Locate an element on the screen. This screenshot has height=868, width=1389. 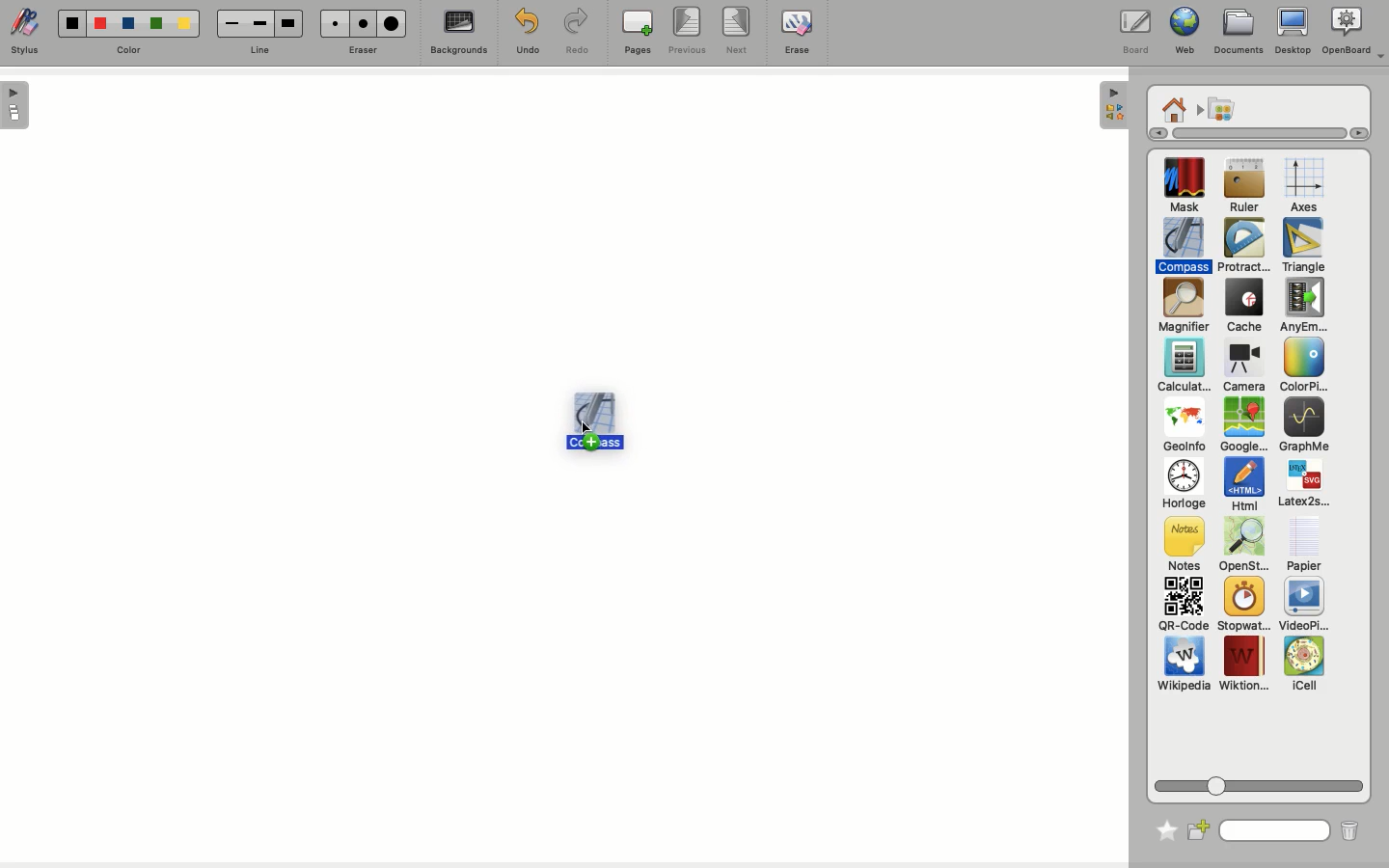
Previous is located at coordinates (687, 32).